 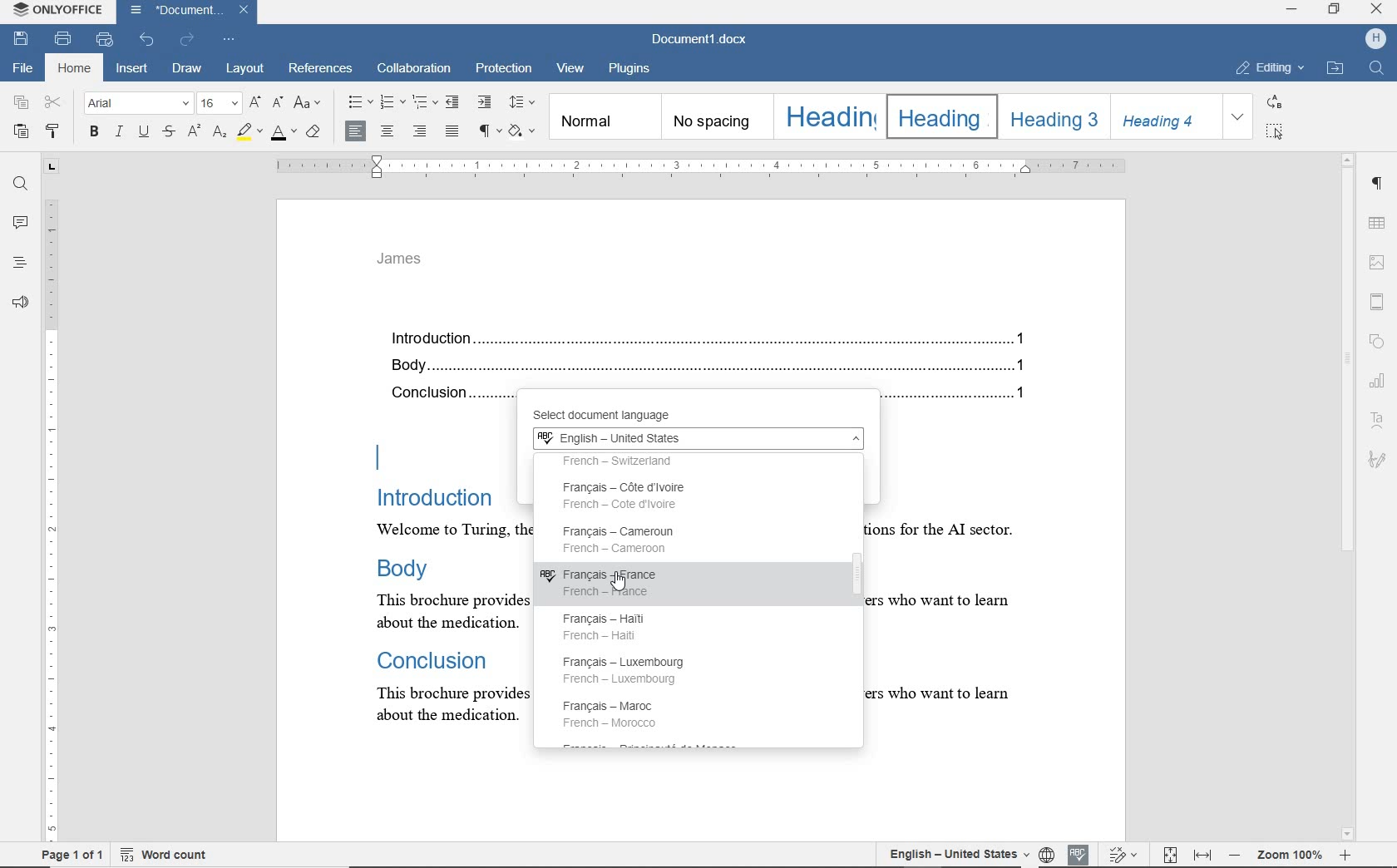 I want to click on mouse pointer, so click(x=623, y=588).